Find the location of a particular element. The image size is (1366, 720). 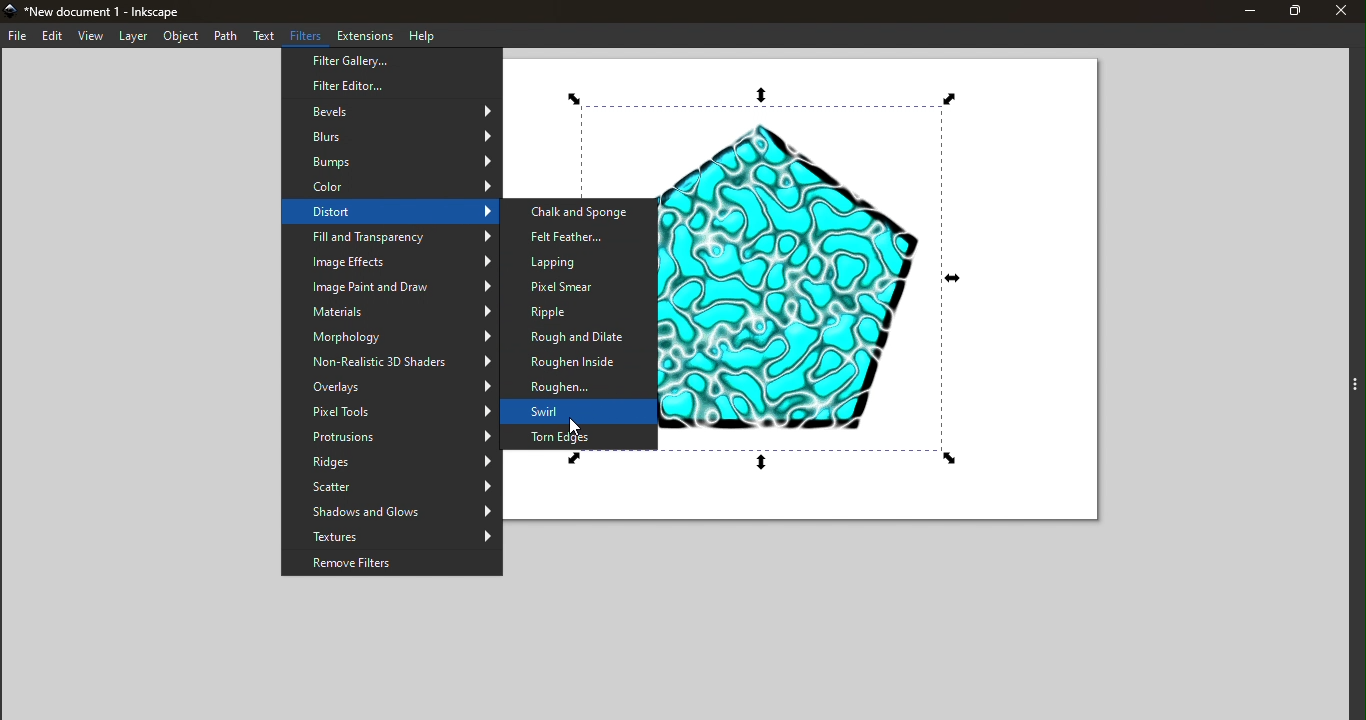

Filter Gallery... is located at coordinates (389, 62).